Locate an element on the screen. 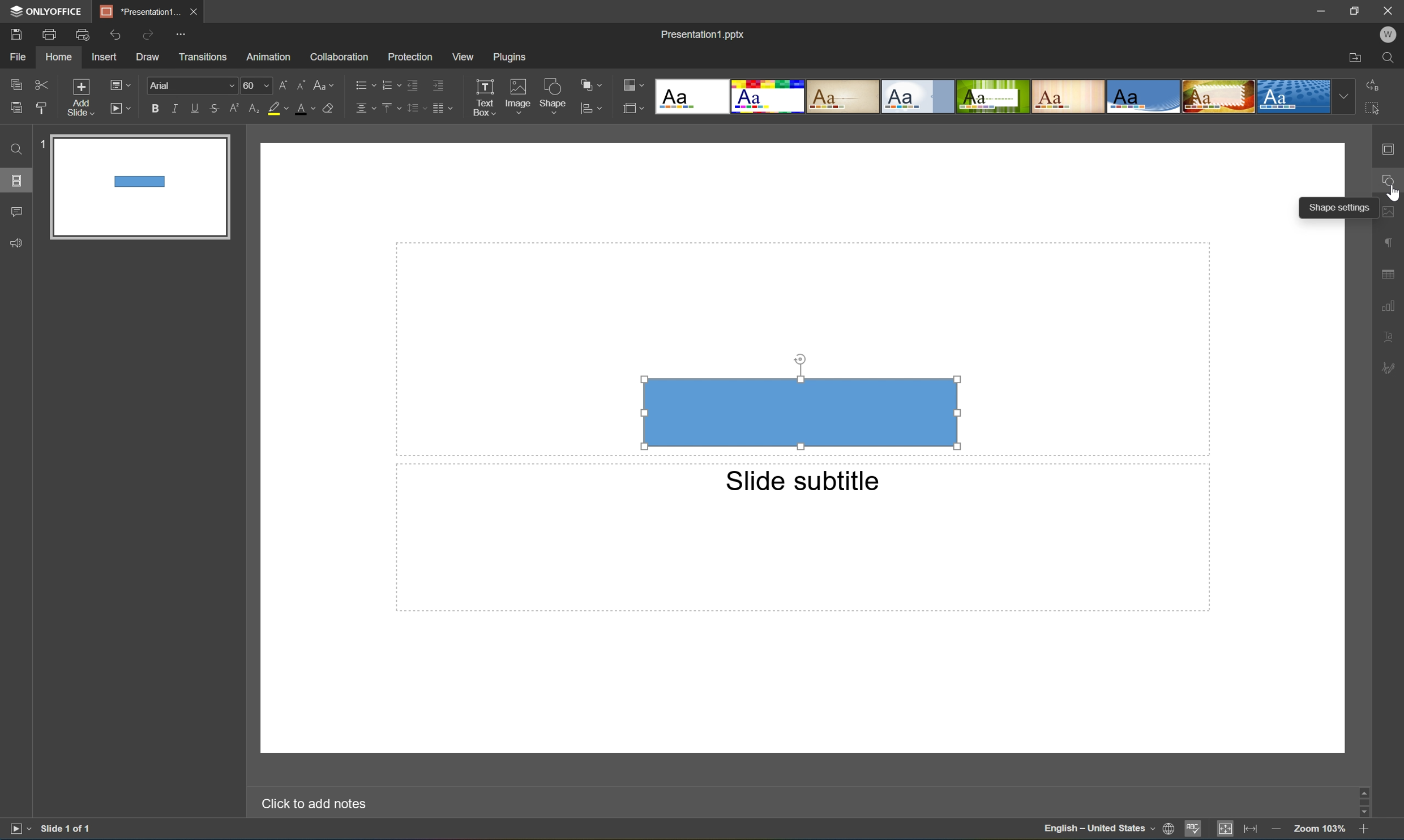 Image resolution: width=1404 pixels, height=840 pixels. Scroll Down is located at coordinates (1361, 816).